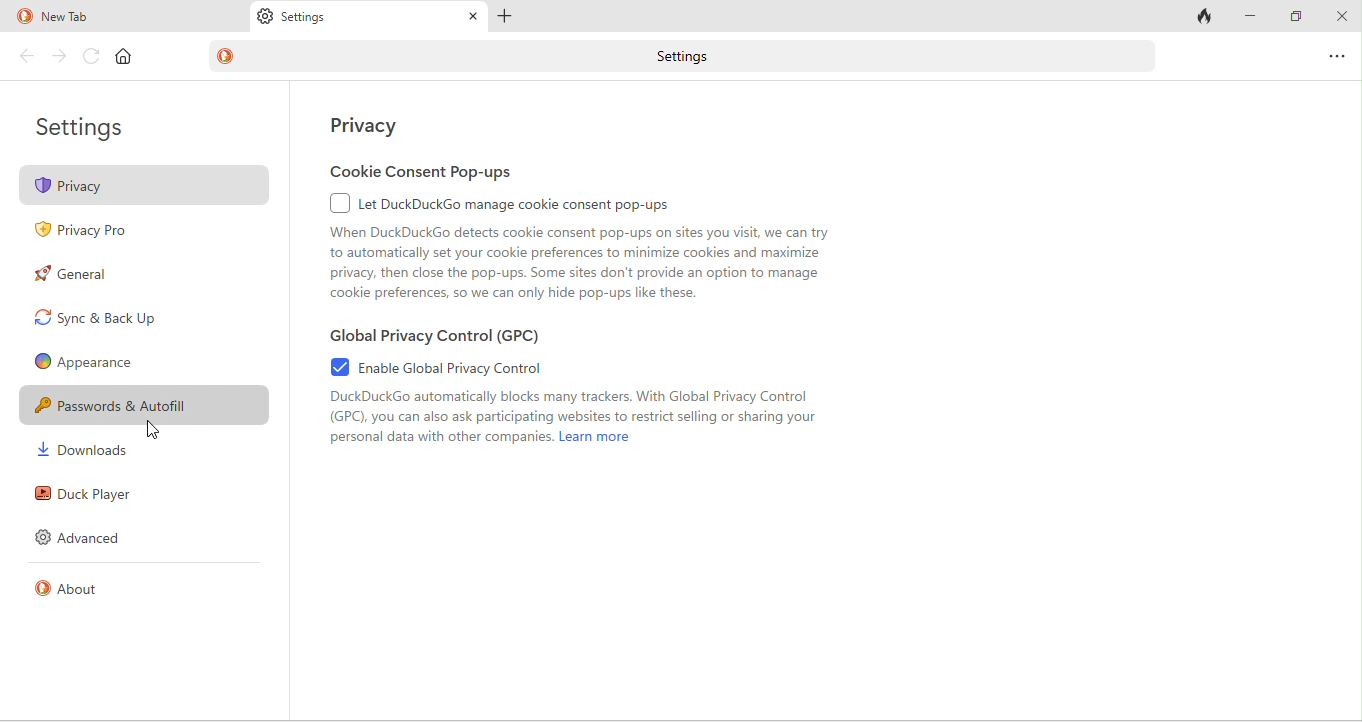 The height and width of the screenshot is (722, 1362). Describe the element at coordinates (310, 20) in the screenshot. I see `settings` at that location.